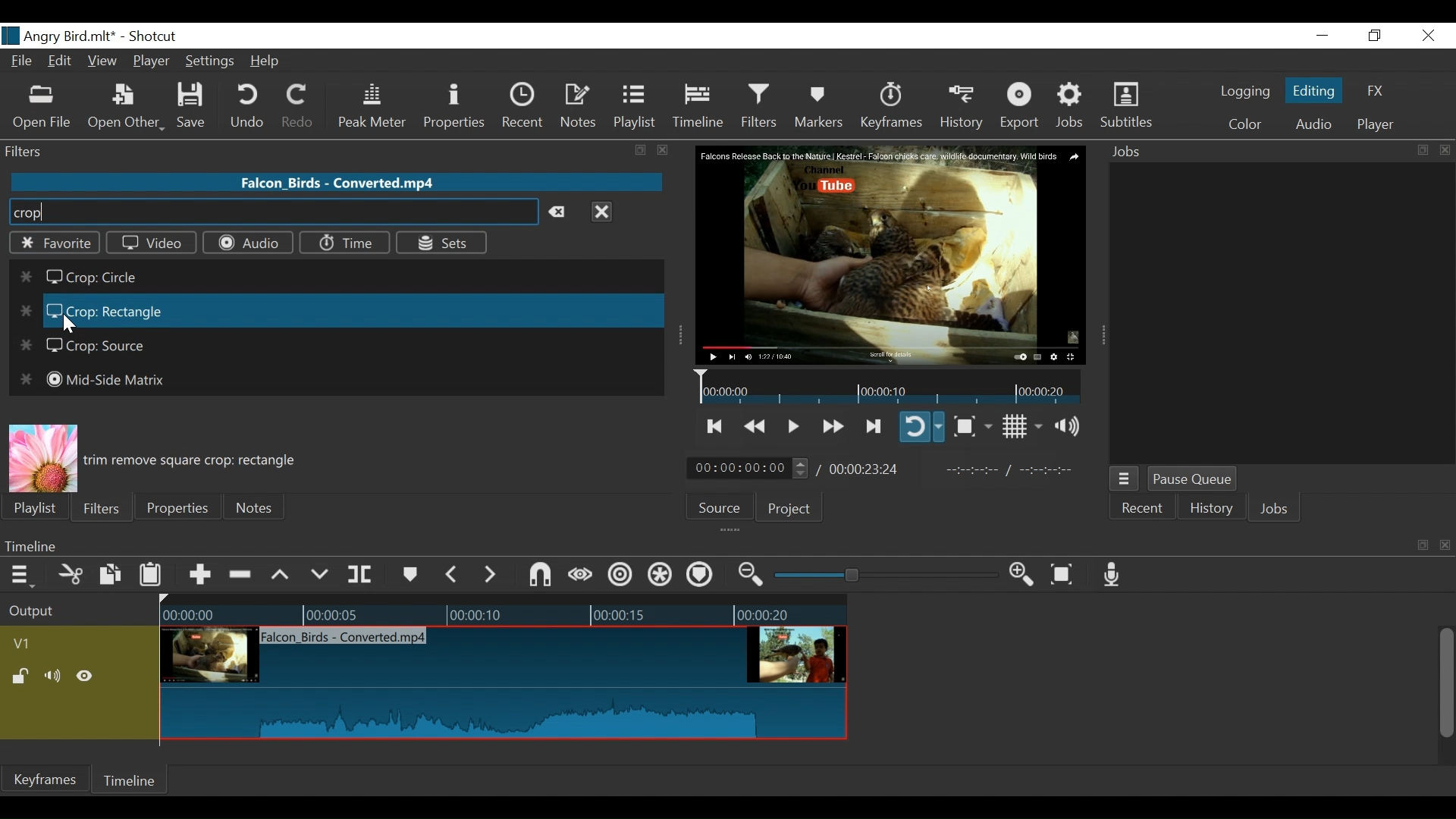 This screenshot has width=1456, height=819. What do you see at coordinates (1212, 510) in the screenshot?
I see `History` at bounding box center [1212, 510].